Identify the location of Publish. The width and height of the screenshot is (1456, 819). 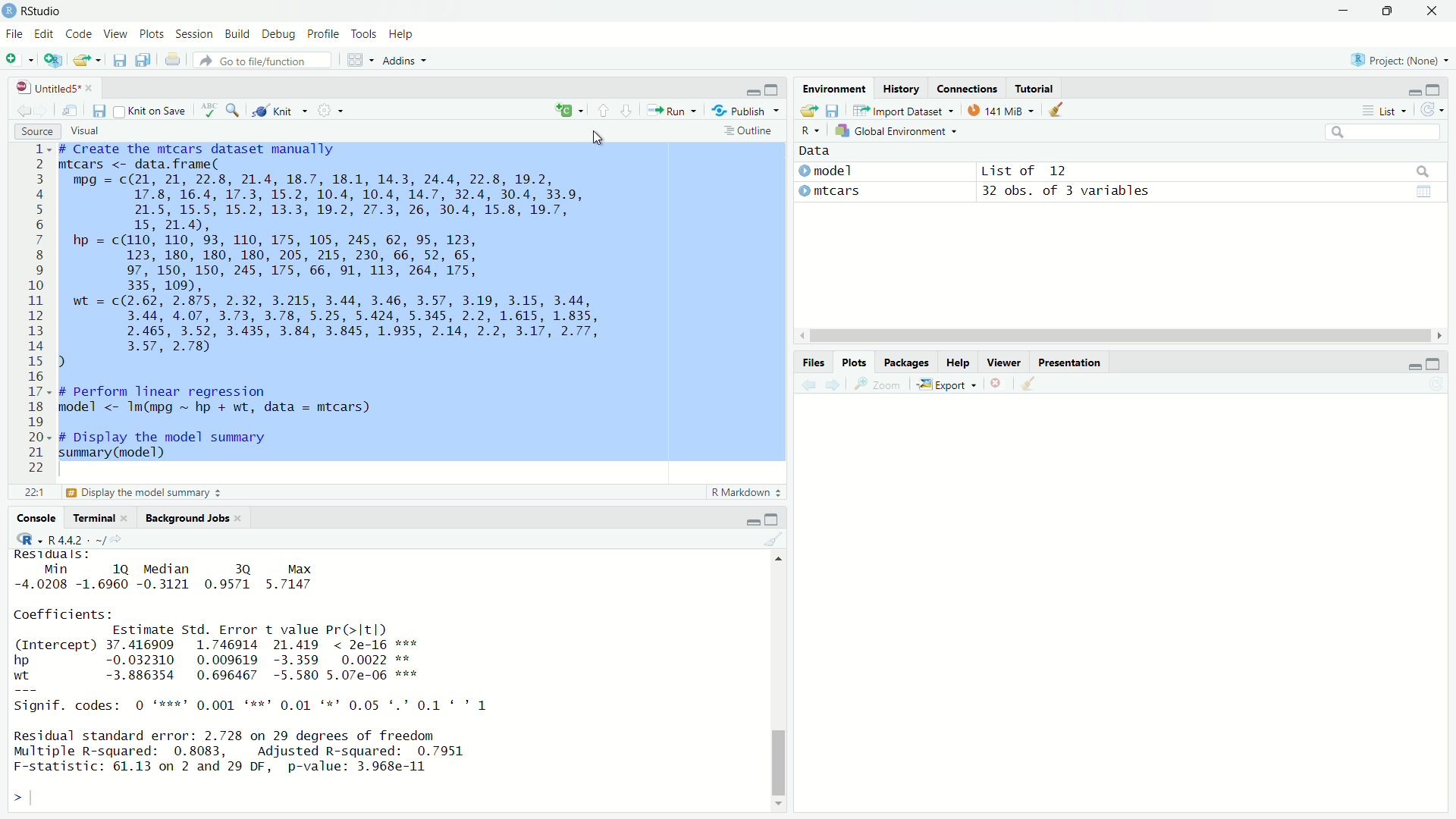
(739, 110).